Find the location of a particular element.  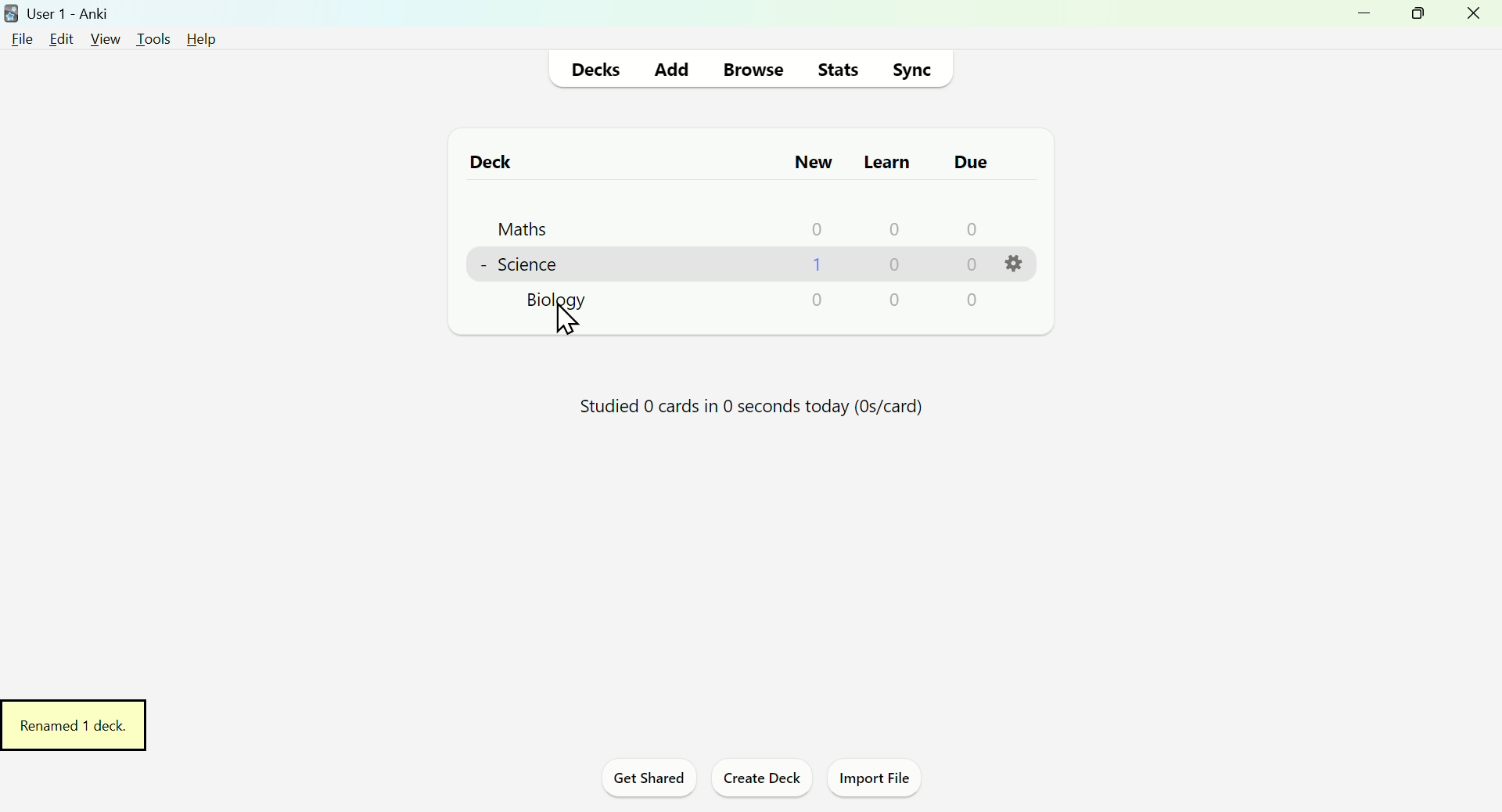

New is located at coordinates (811, 161).